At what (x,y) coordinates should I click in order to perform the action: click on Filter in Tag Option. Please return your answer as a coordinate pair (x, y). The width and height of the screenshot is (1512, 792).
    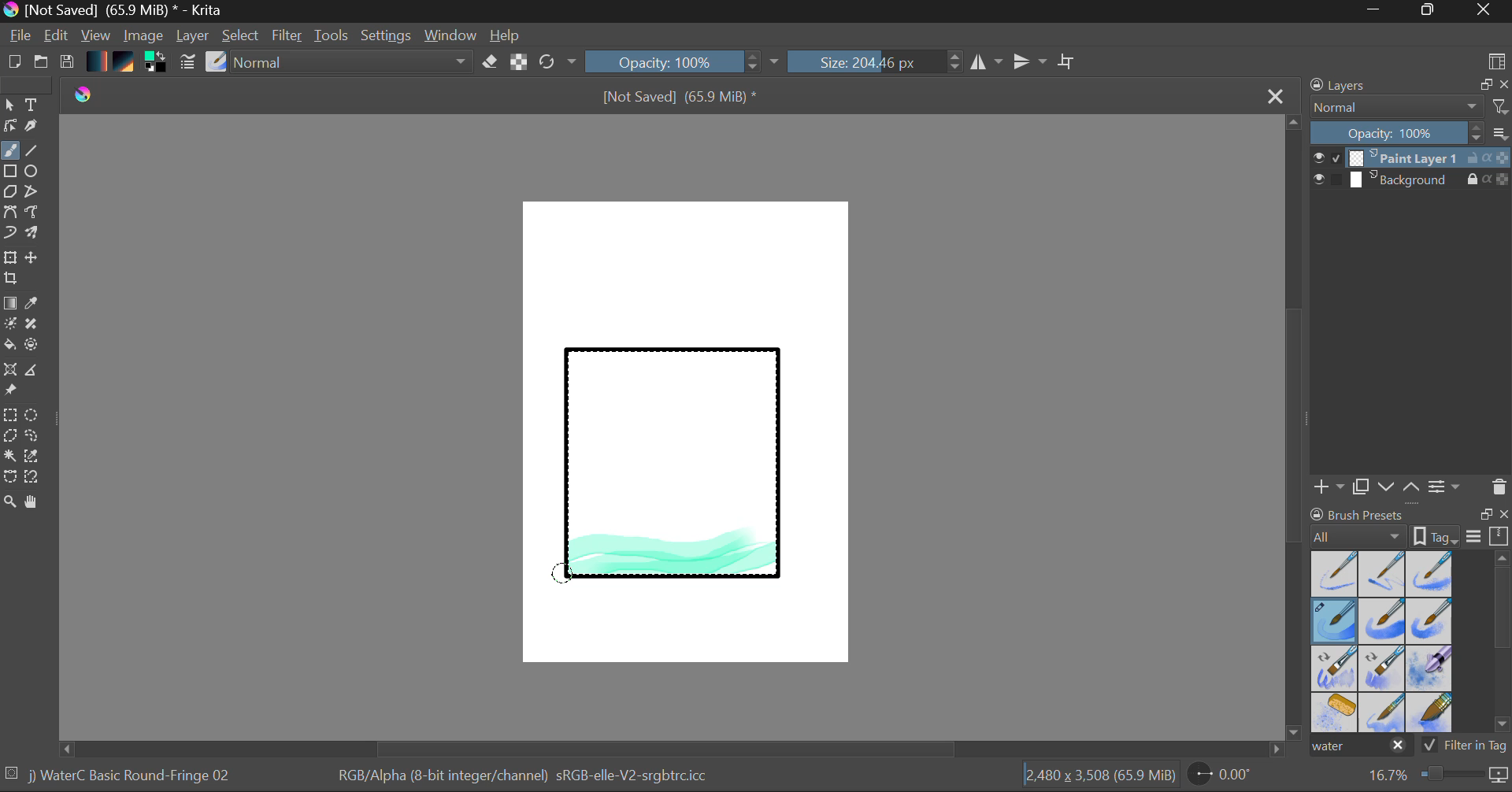
    Looking at the image, I should click on (1466, 747).